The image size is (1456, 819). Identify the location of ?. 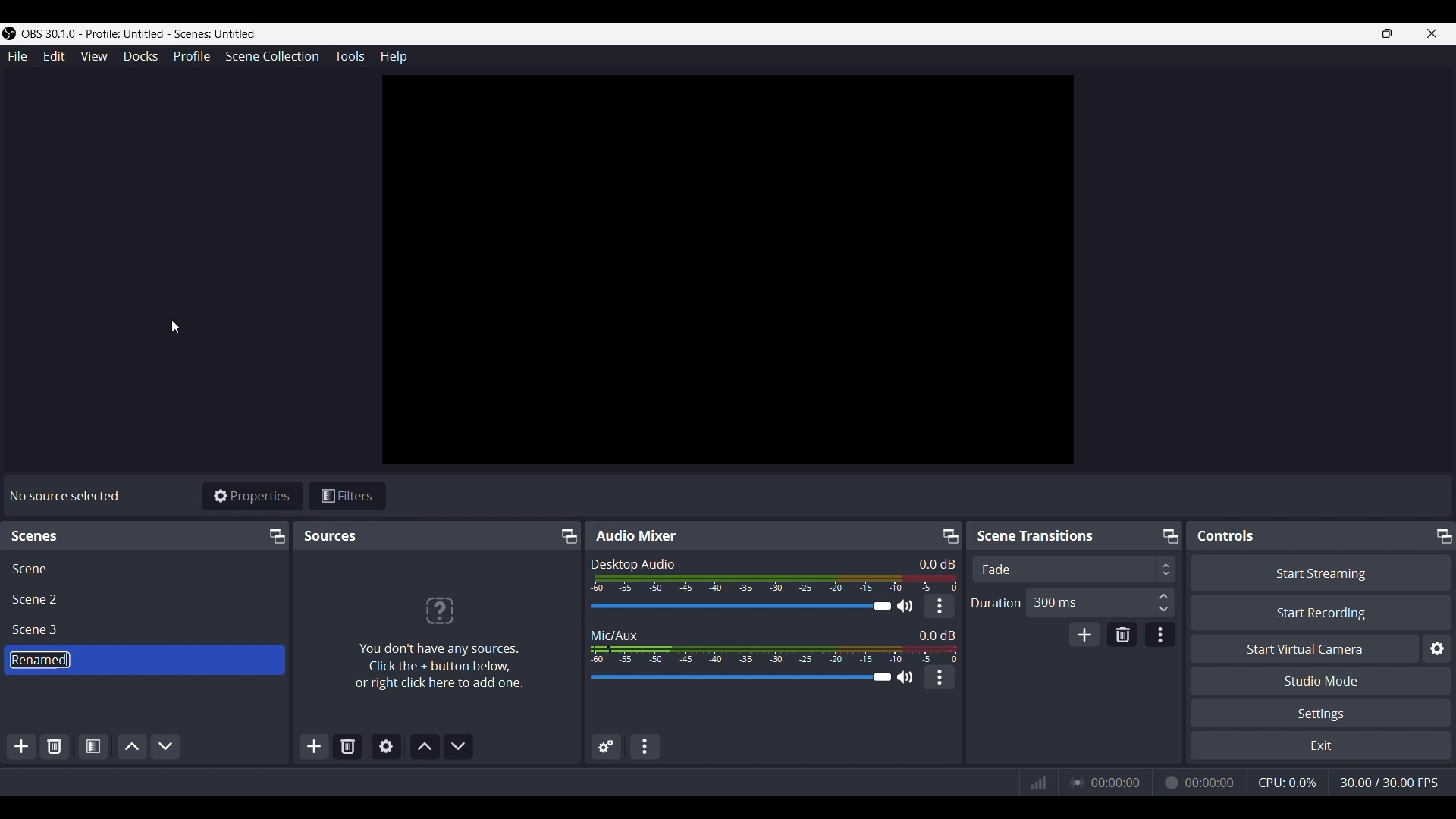
(440, 609).